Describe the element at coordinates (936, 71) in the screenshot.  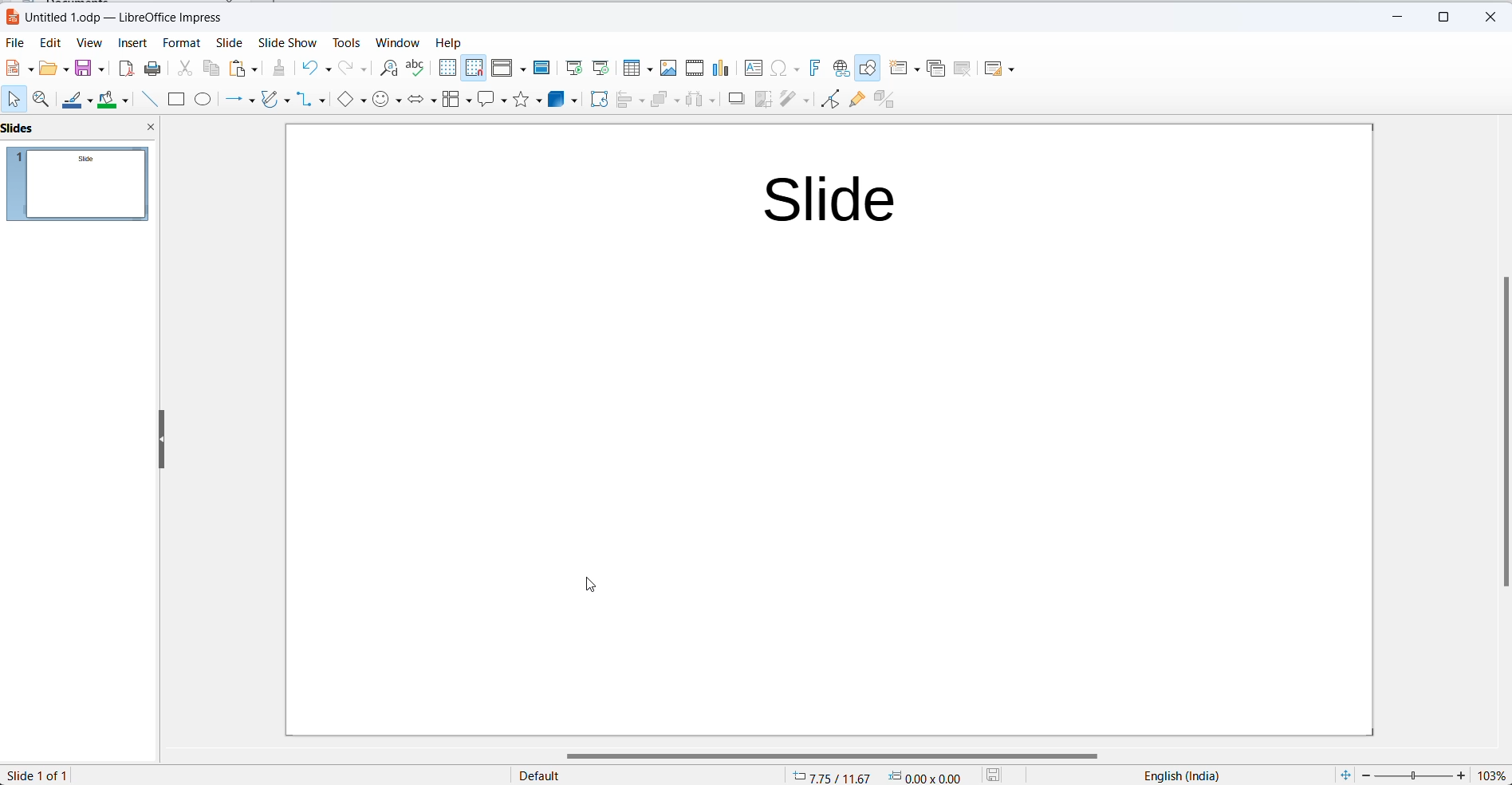
I see `duplicate slide` at that location.